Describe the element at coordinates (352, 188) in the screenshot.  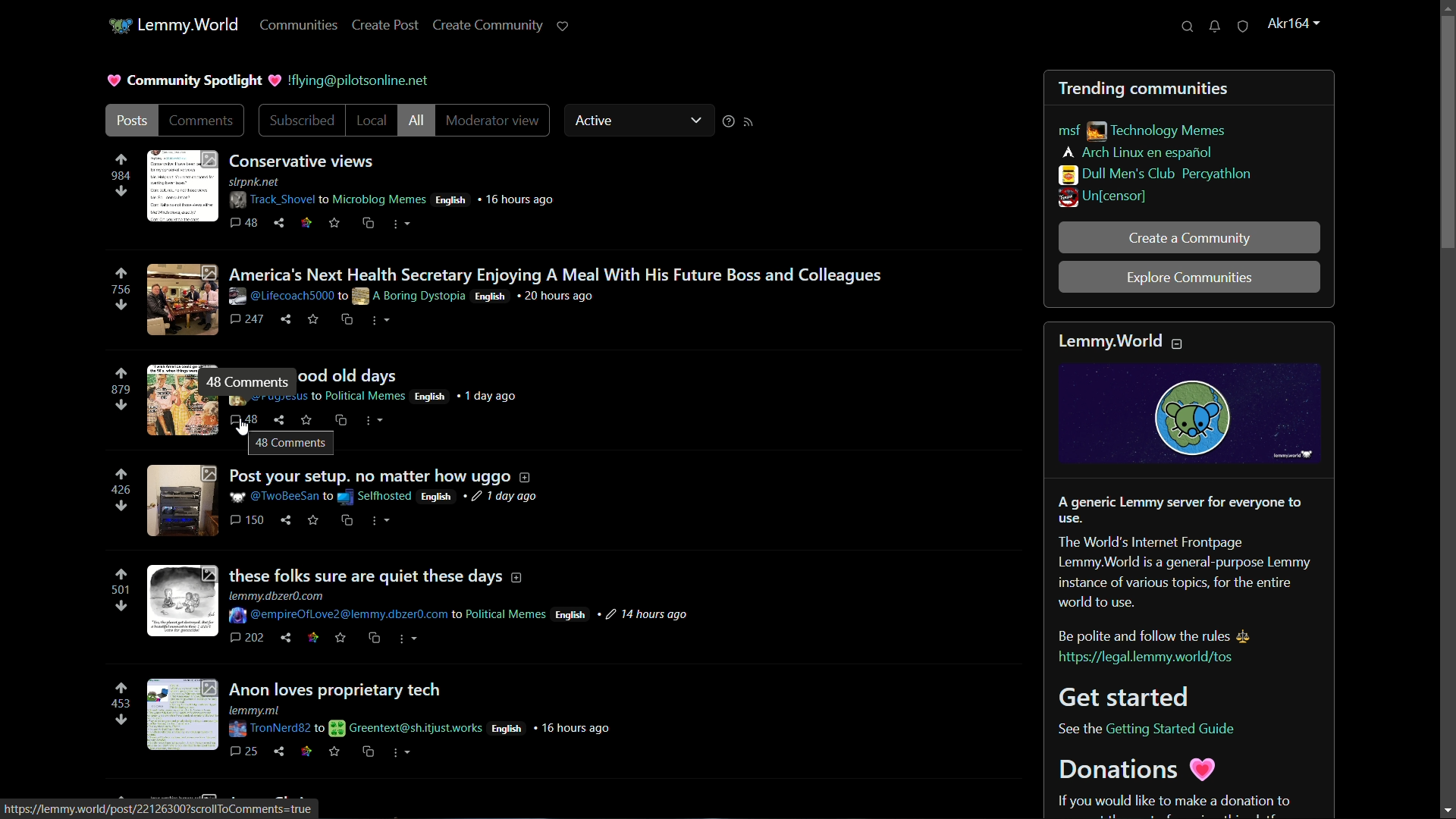
I see `post-1` at that location.